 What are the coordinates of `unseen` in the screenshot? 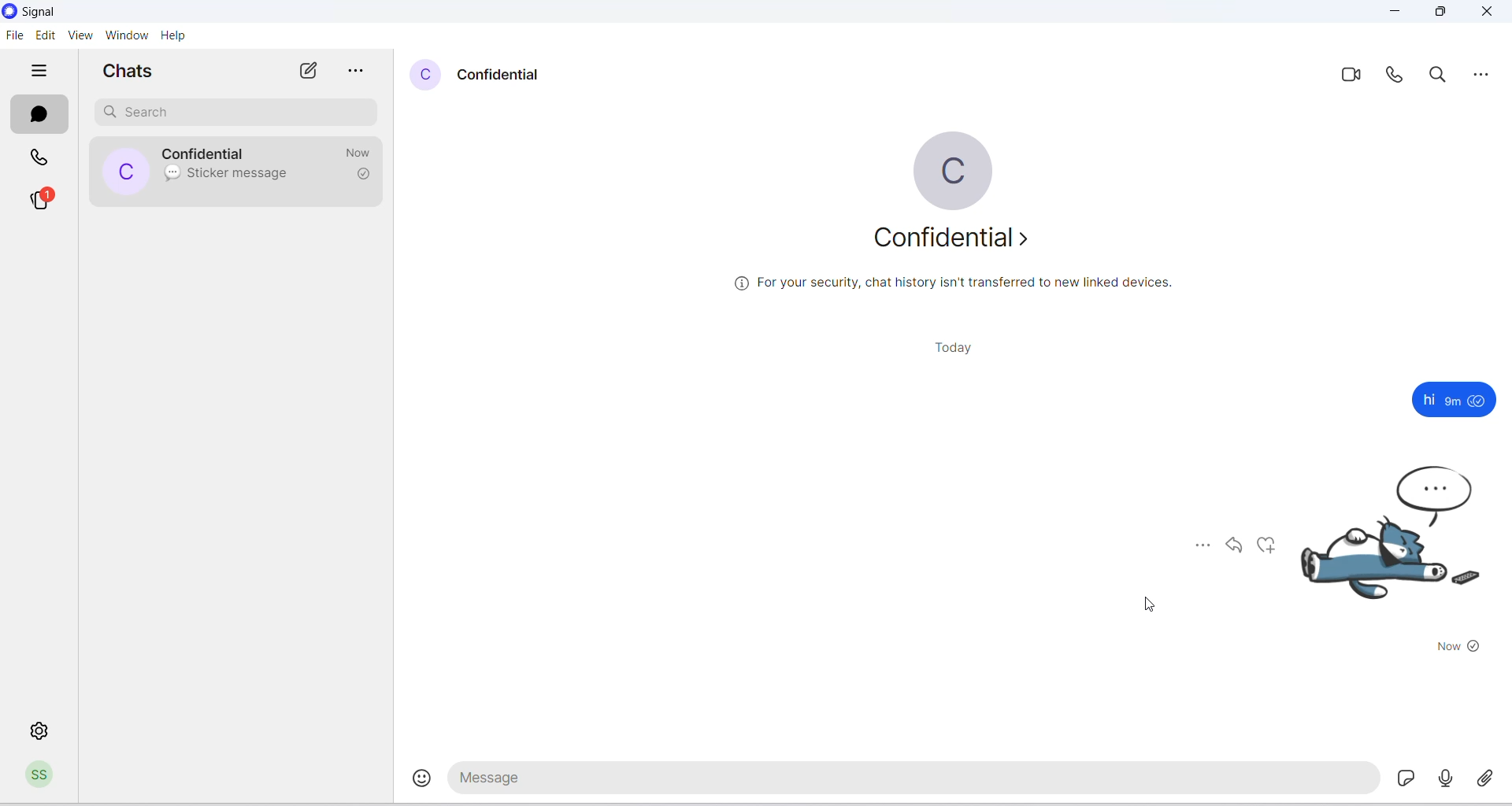 It's located at (1475, 647).